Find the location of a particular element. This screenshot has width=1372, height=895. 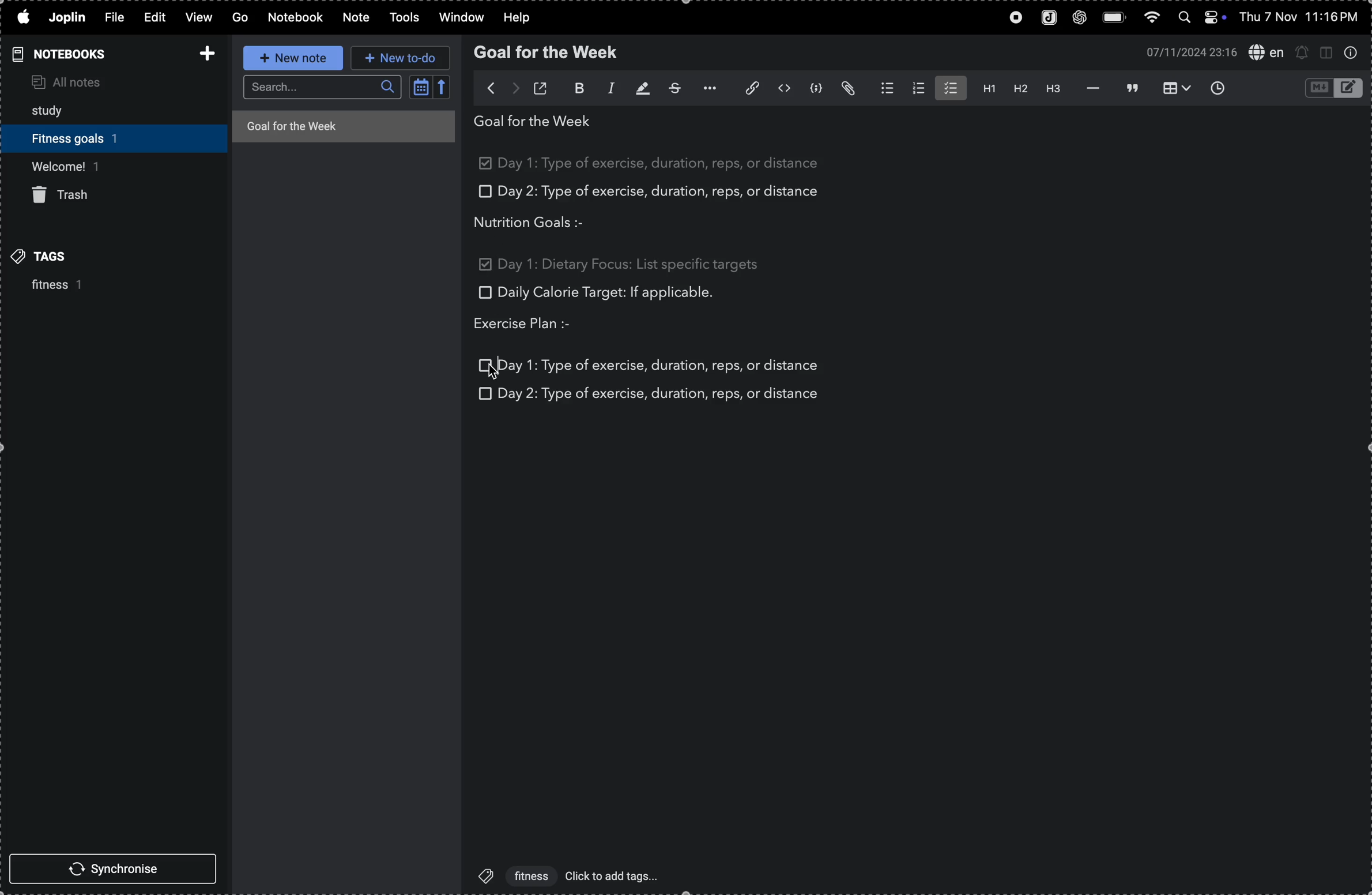

daily calorie target: if applicable. is located at coordinates (606, 295).